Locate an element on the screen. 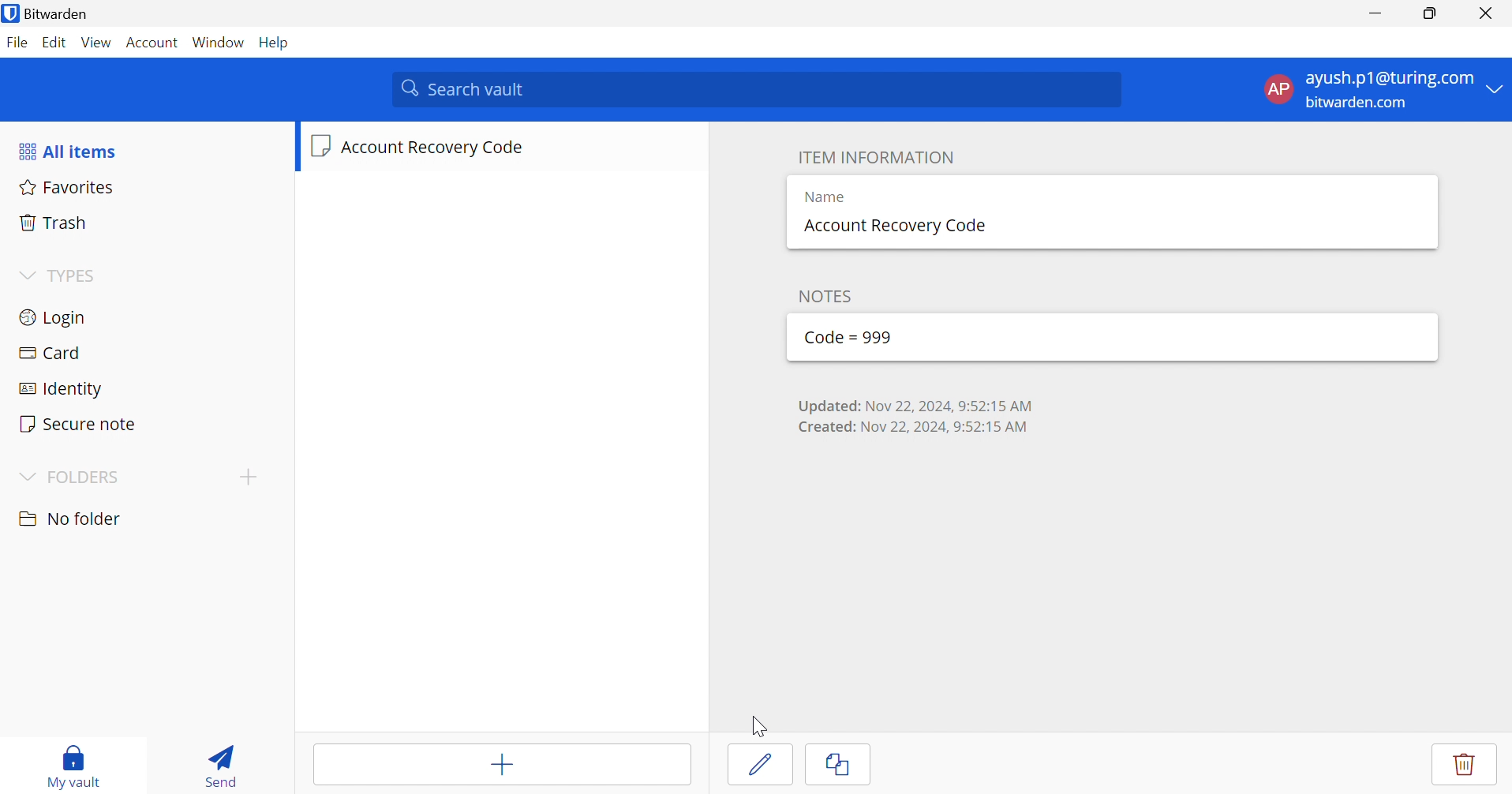 The height and width of the screenshot is (794, 1512). Search vault is located at coordinates (758, 90).